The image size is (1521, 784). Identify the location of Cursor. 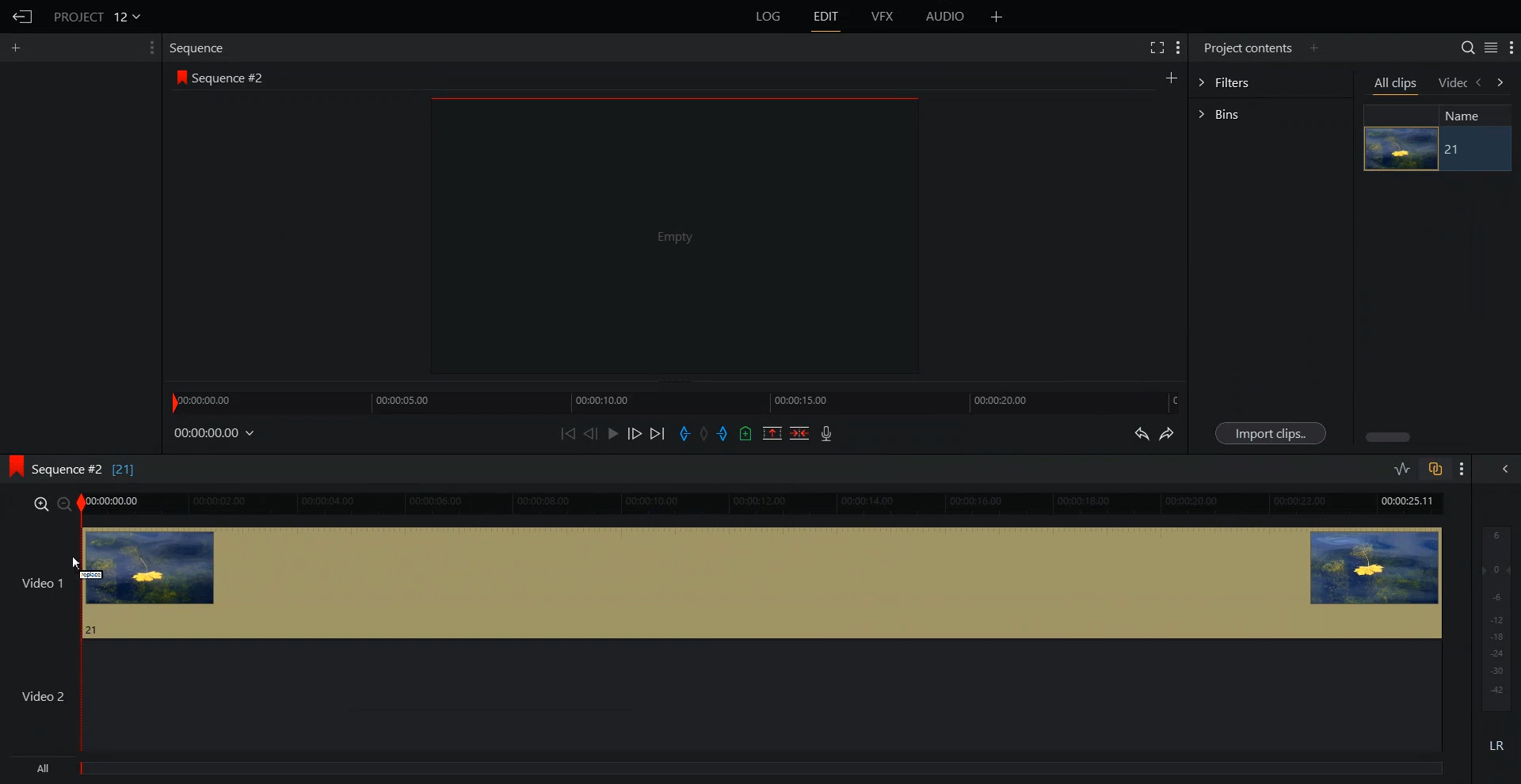
(78, 564).